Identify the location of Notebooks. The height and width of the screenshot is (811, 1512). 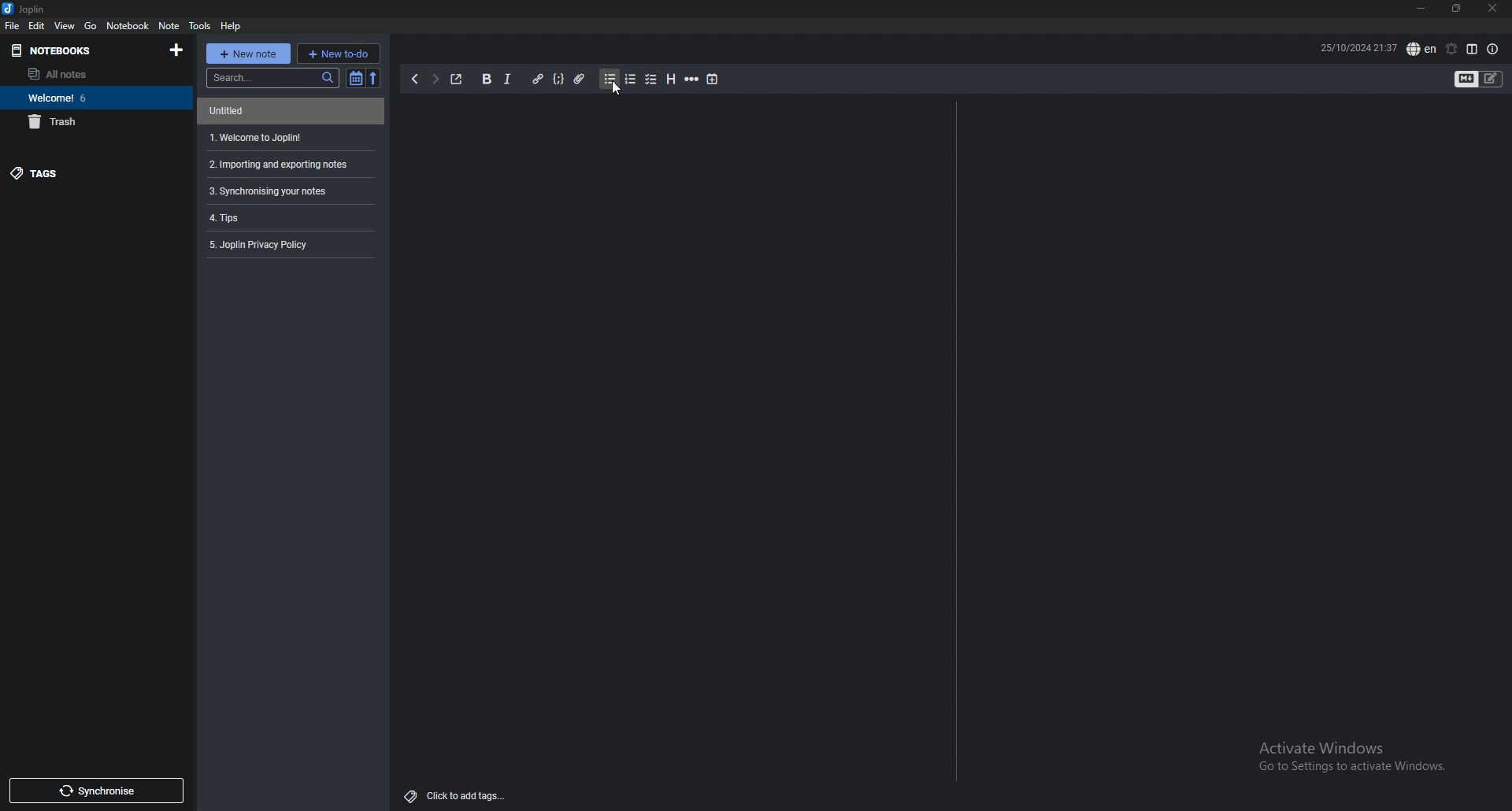
(48, 47).